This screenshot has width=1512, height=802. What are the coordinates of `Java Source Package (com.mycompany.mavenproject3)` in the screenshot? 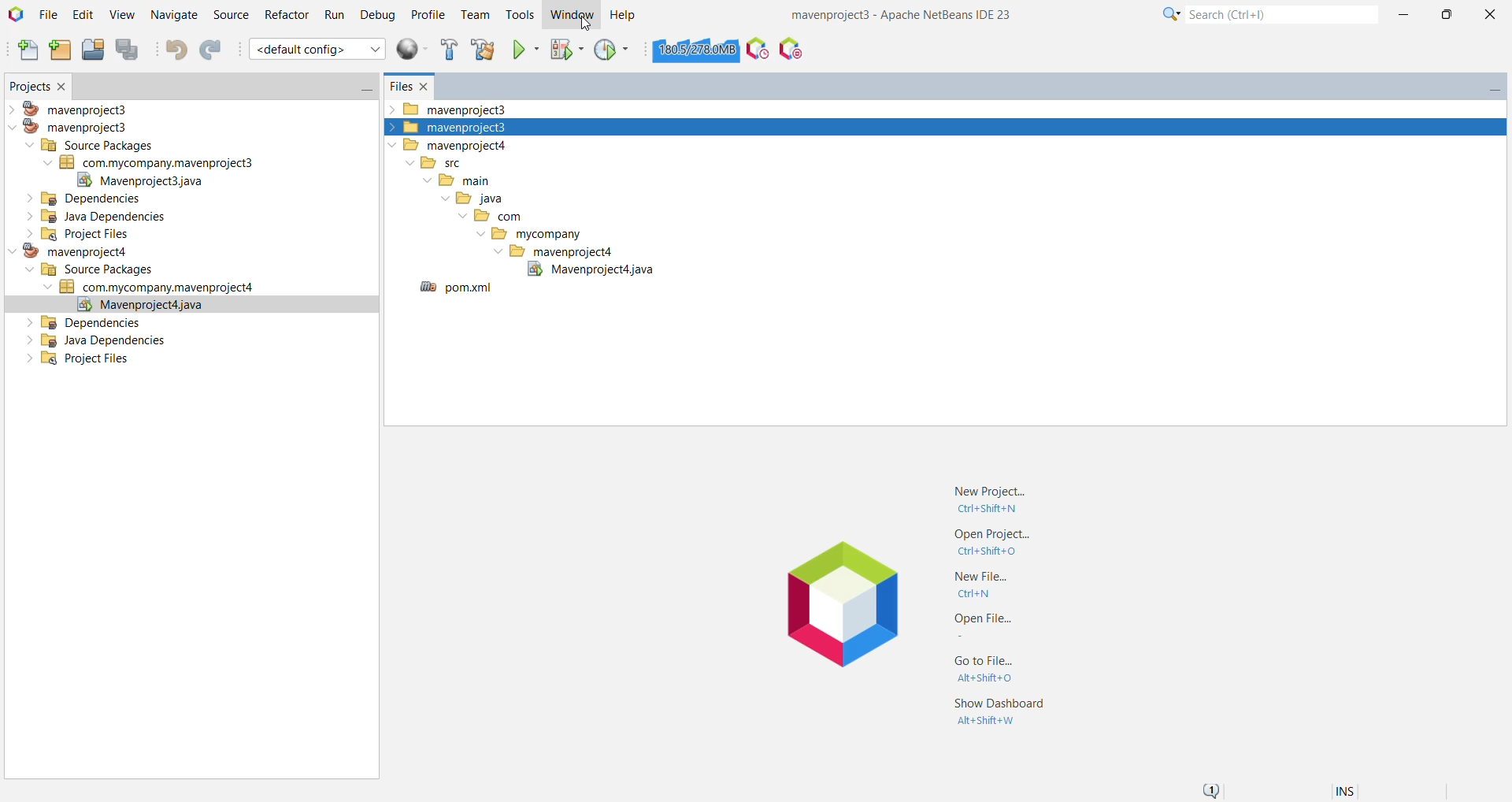 It's located at (162, 162).